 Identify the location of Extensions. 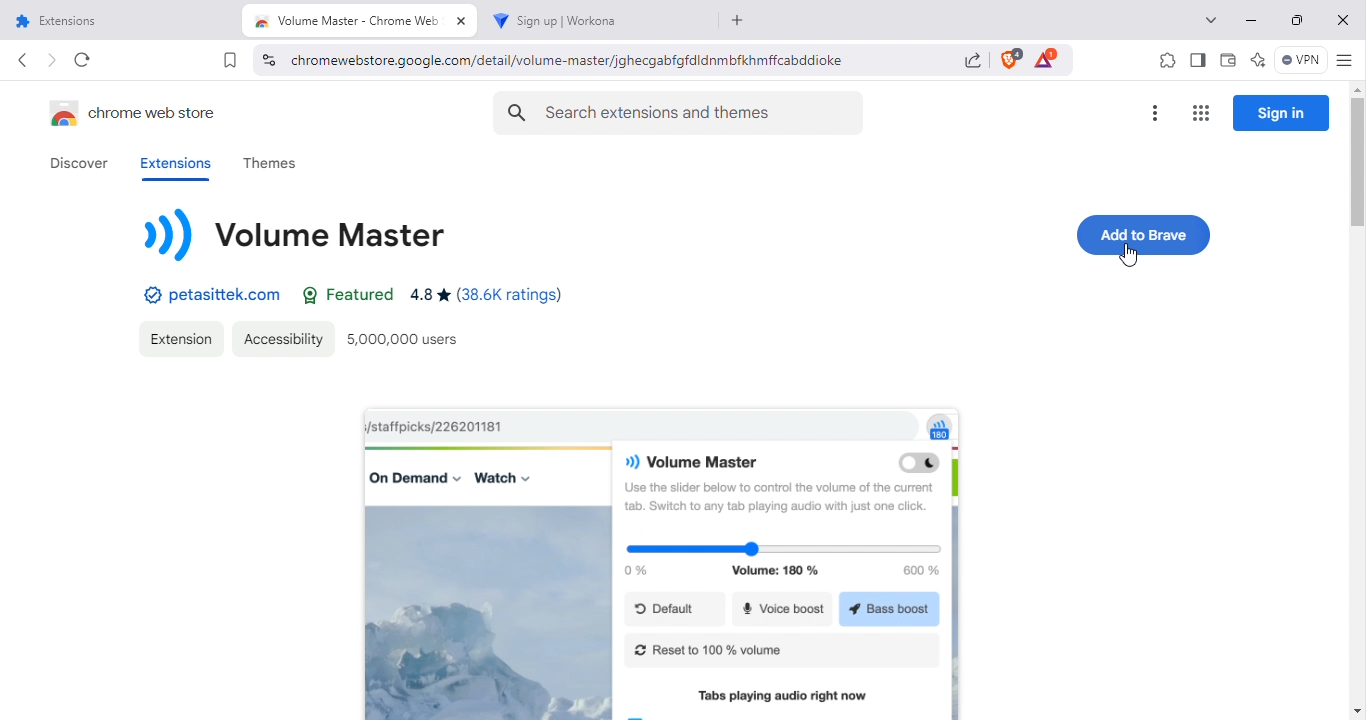
(1161, 60).